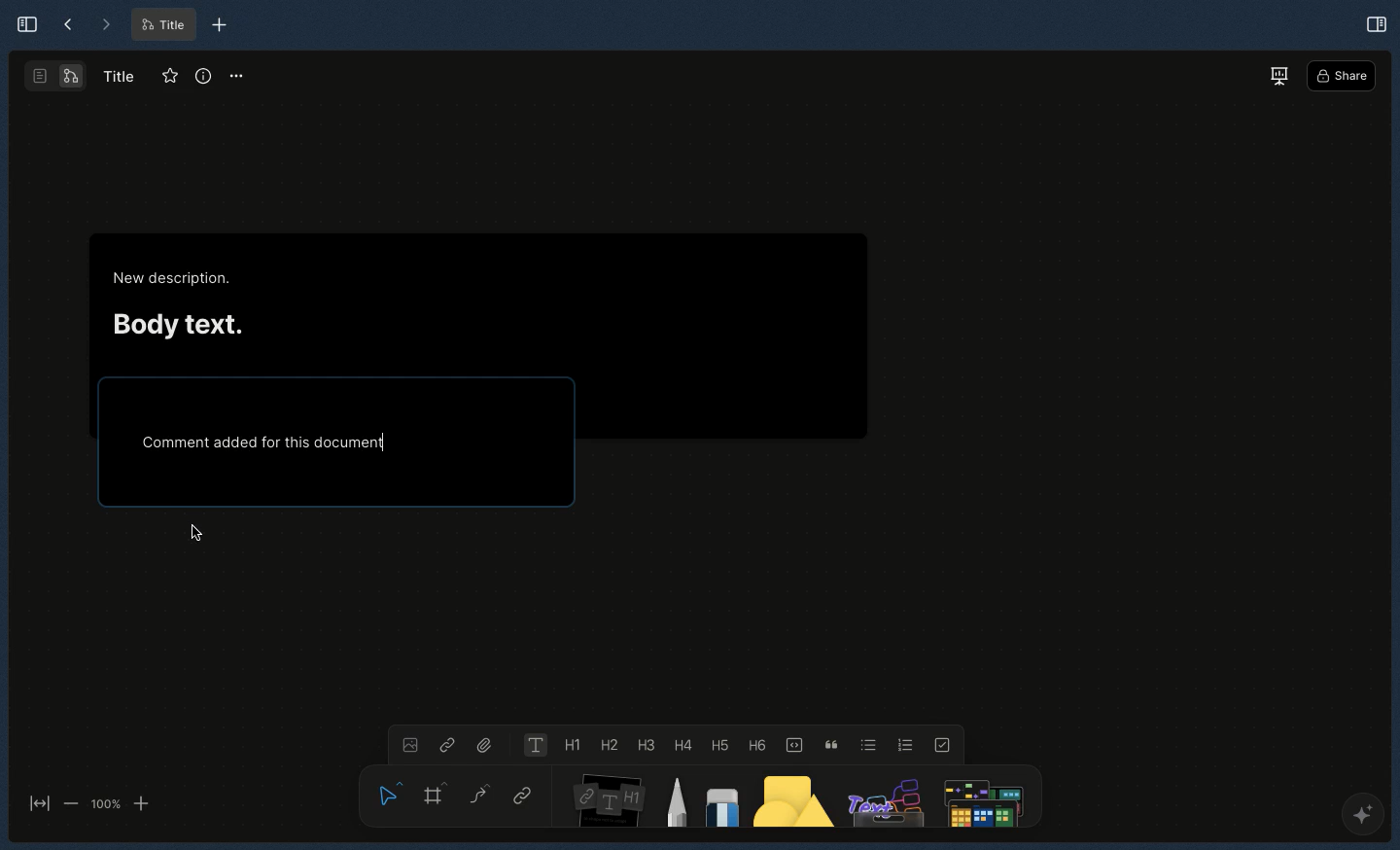 This screenshot has width=1400, height=850. I want to click on Hand, so click(385, 791).